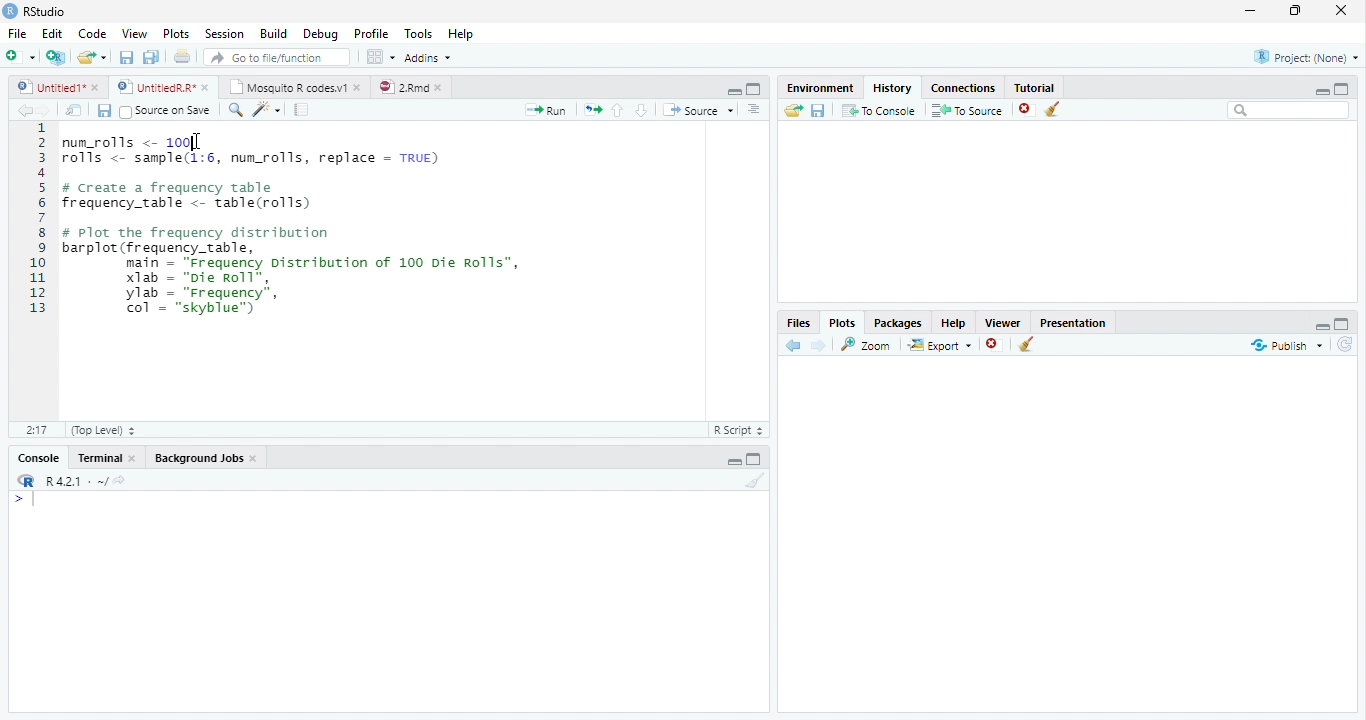 The height and width of the screenshot is (720, 1366). I want to click on Code, so click(94, 31).